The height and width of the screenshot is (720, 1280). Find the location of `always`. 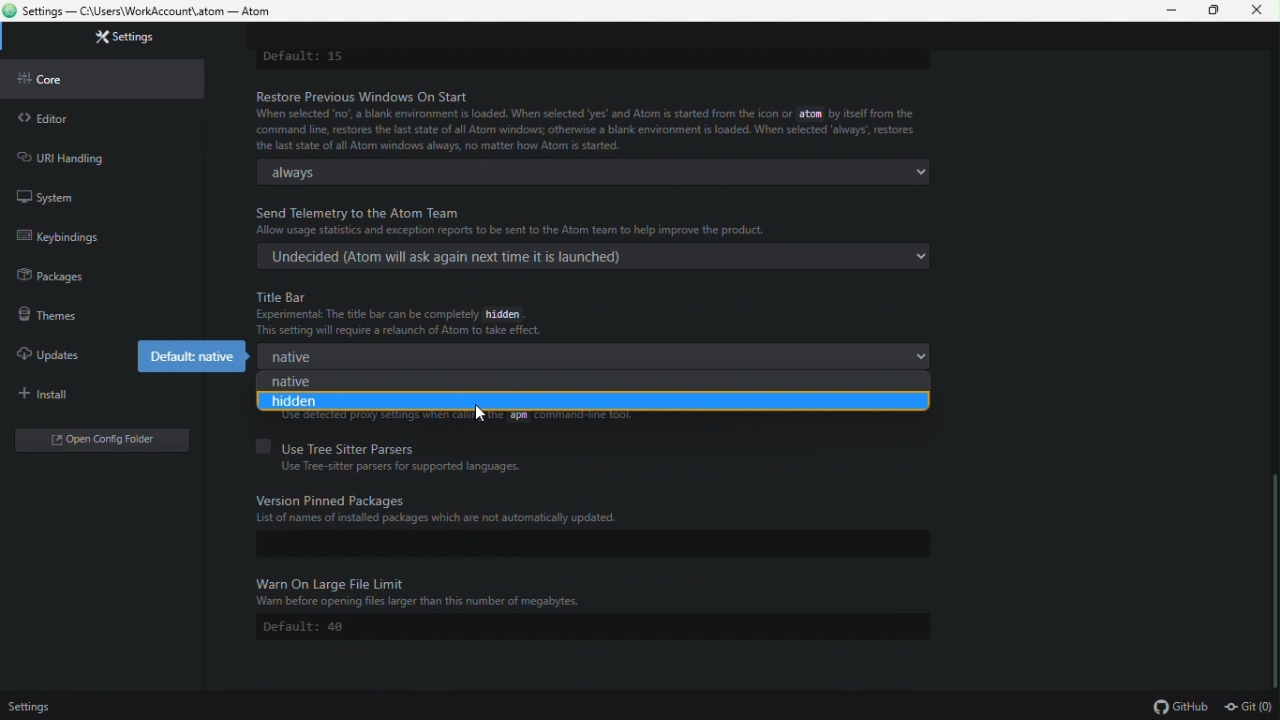

always is located at coordinates (613, 172).